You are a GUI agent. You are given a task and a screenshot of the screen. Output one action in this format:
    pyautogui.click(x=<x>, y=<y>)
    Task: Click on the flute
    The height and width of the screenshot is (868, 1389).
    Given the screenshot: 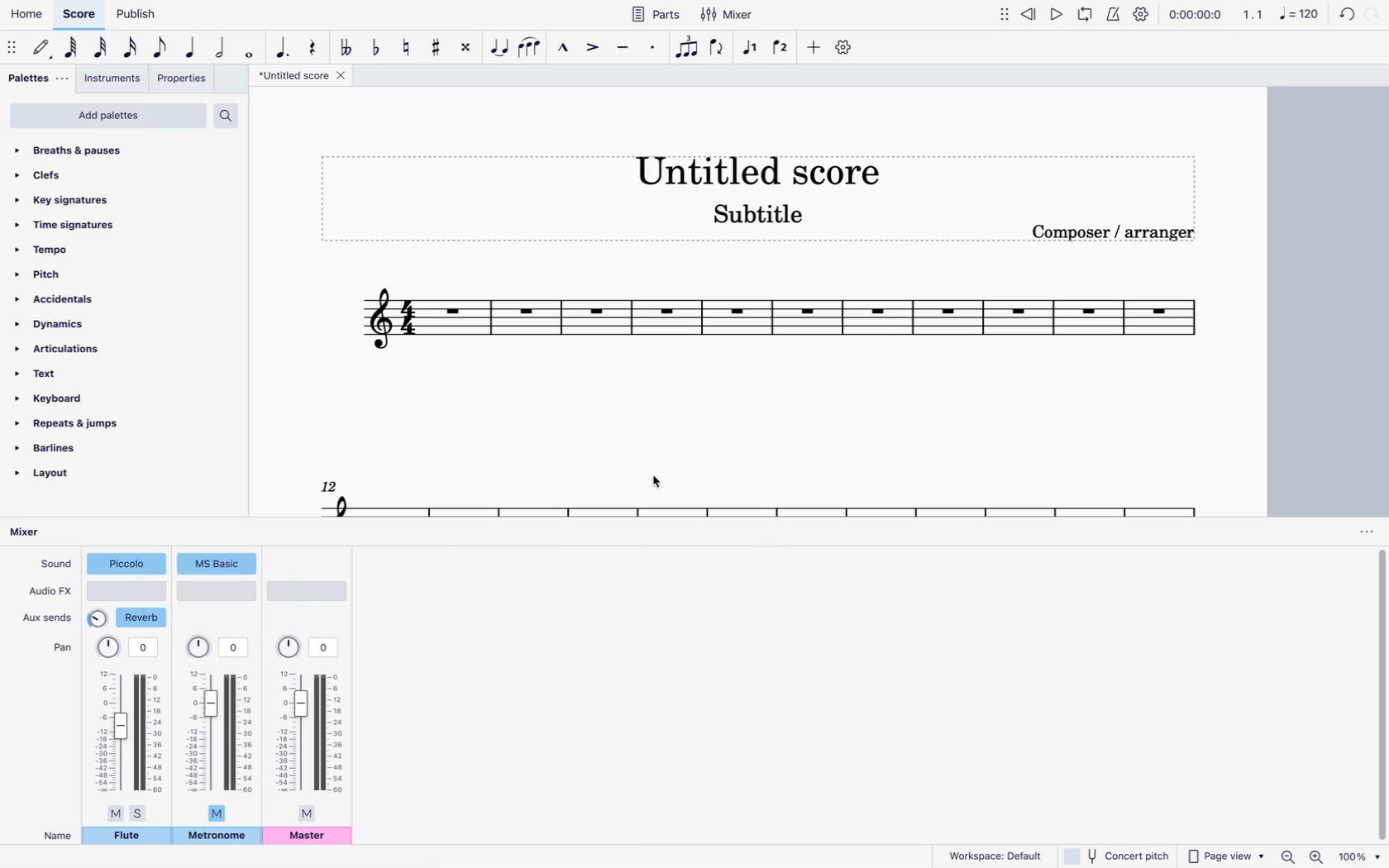 What is the action you would take?
    pyautogui.click(x=126, y=836)
    